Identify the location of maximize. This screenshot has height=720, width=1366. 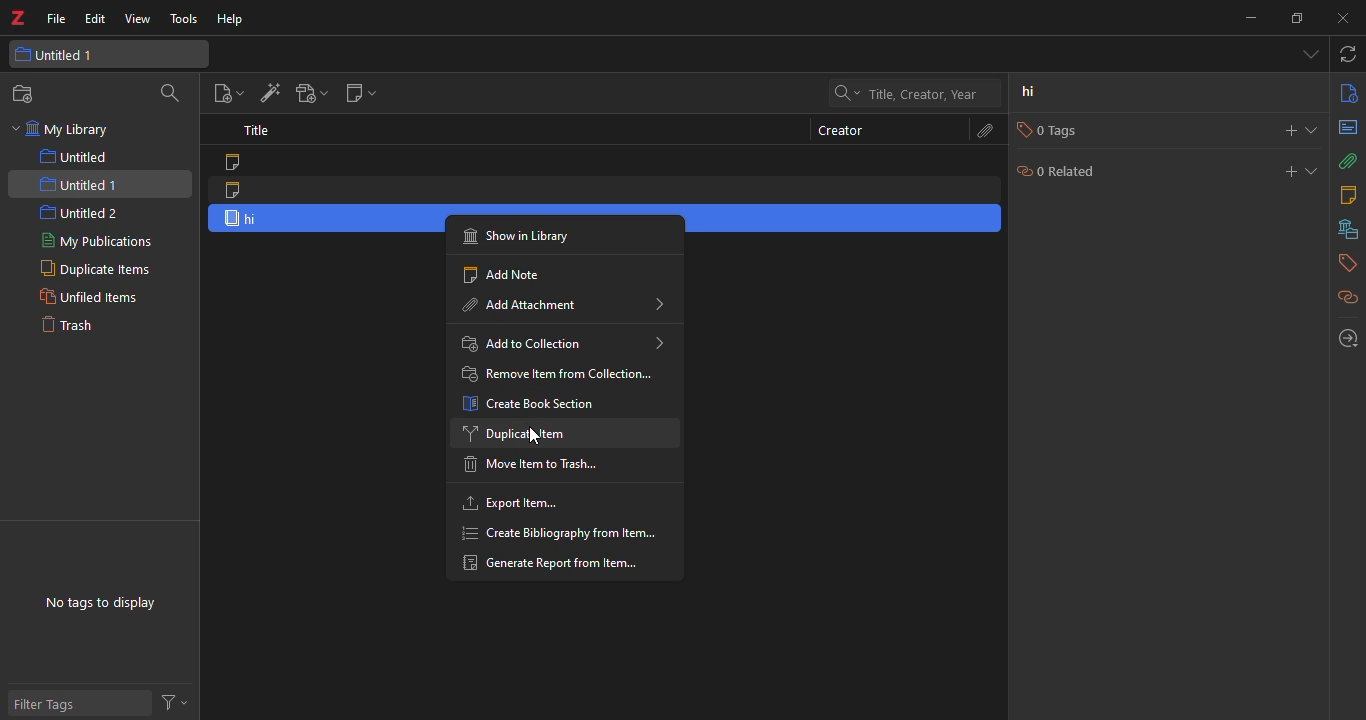
(1295, 18).